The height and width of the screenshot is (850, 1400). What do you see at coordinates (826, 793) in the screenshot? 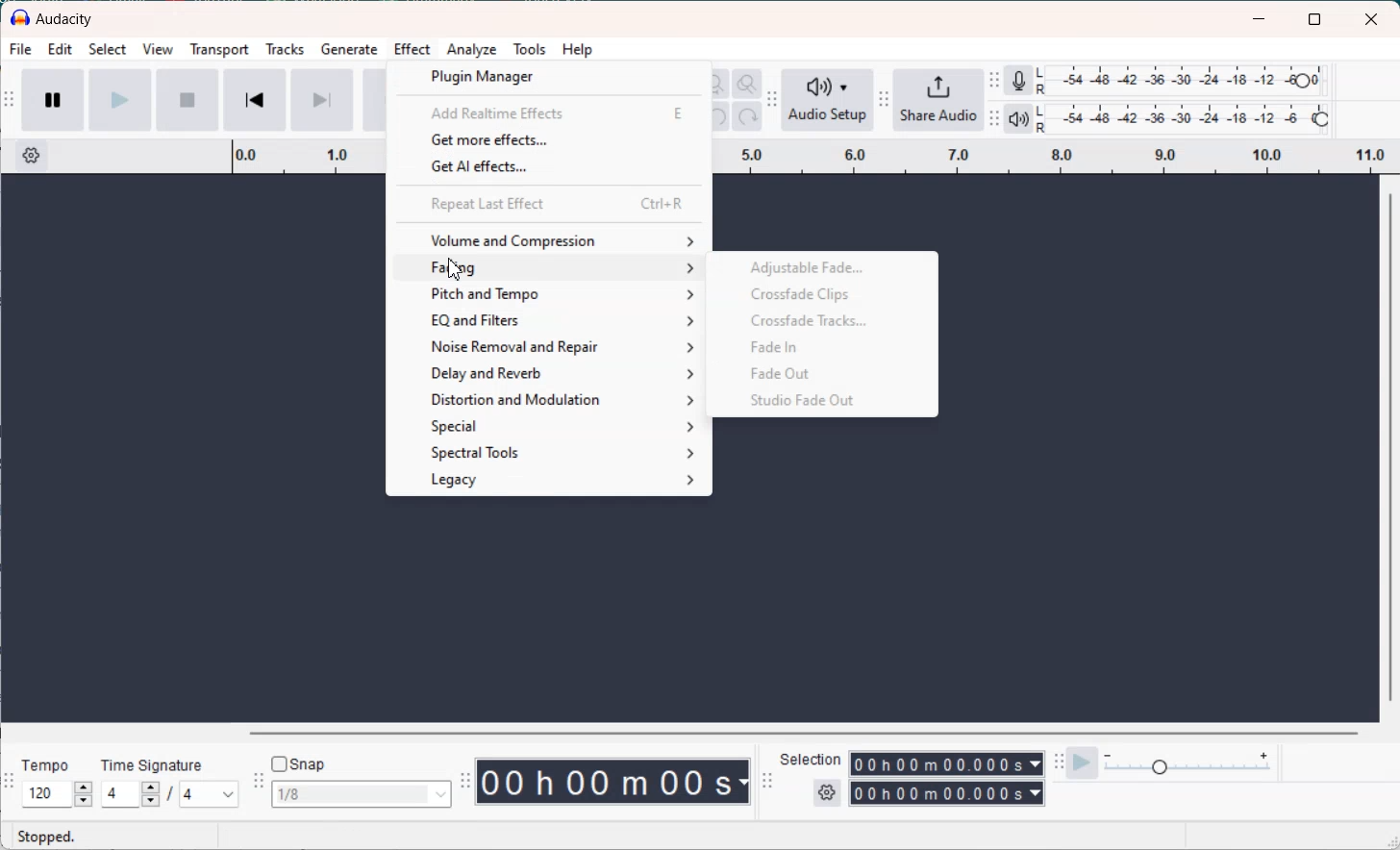
I see `Selection settings` at bounding box center [826, 793].